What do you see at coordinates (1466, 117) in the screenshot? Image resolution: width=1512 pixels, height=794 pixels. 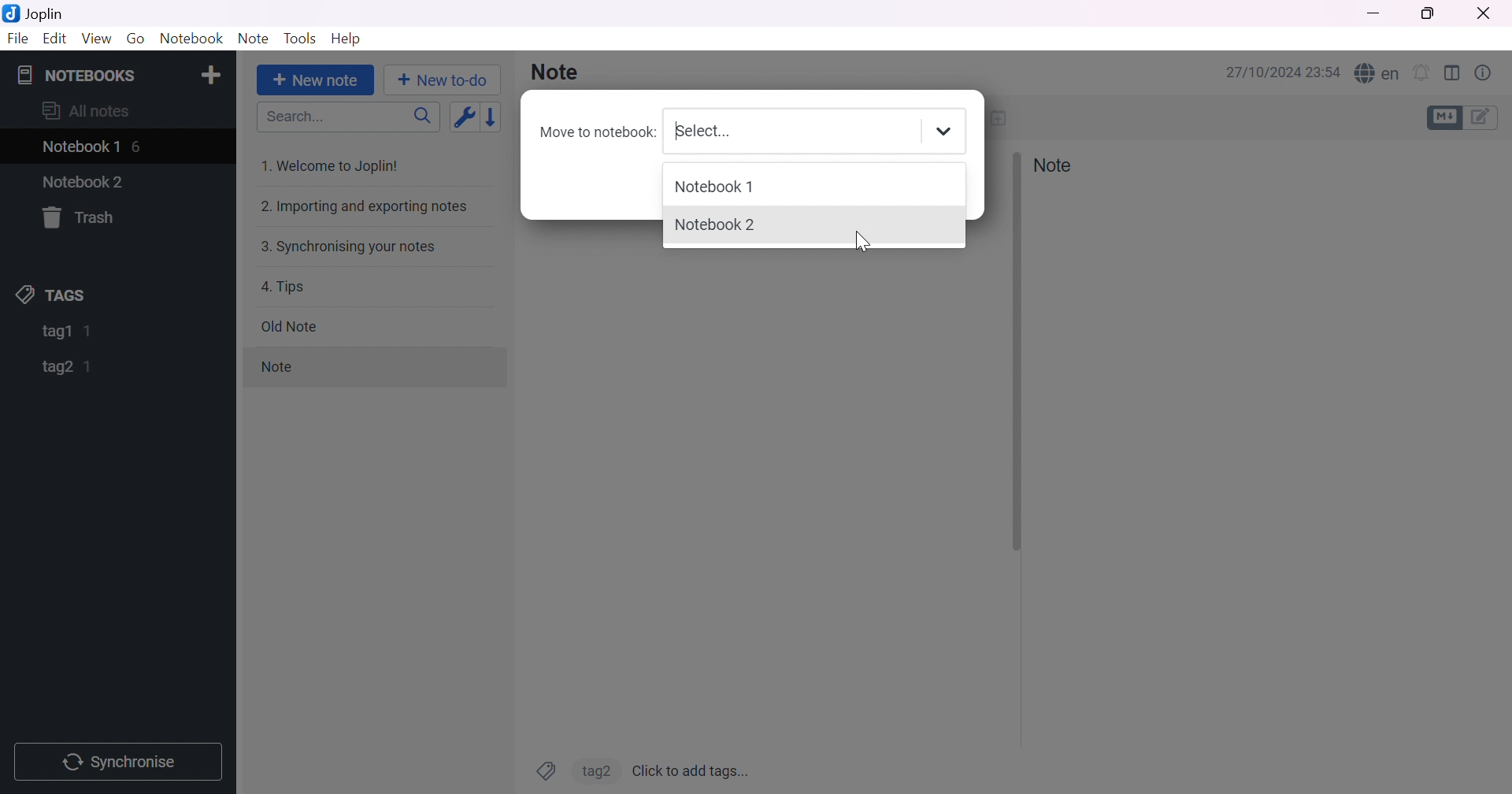 I see `Toggle editors` at bounding box center [1466, 117].